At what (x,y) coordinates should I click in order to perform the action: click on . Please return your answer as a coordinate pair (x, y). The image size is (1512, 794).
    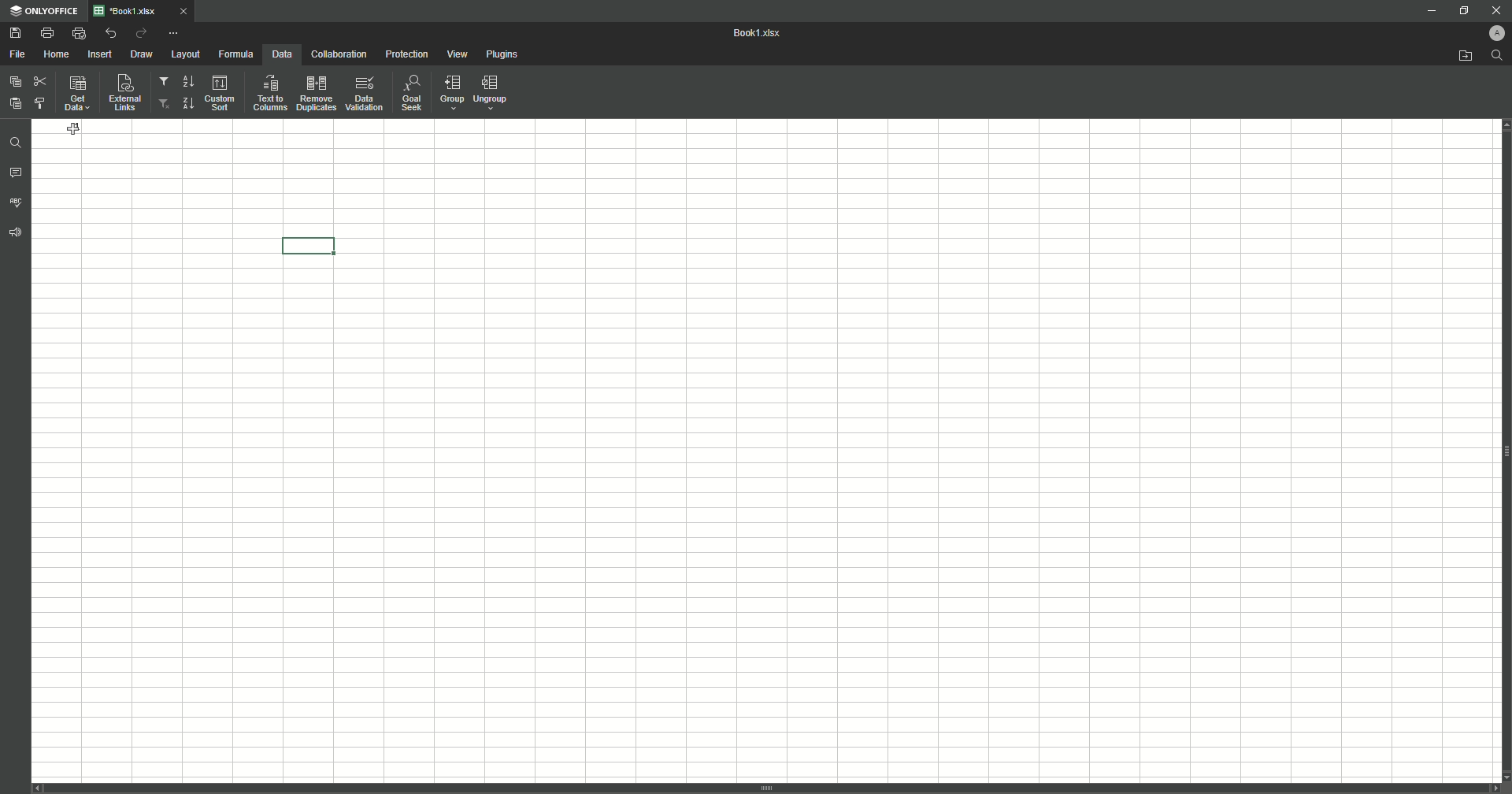
    Looking at the image, I should click on (491, 93).